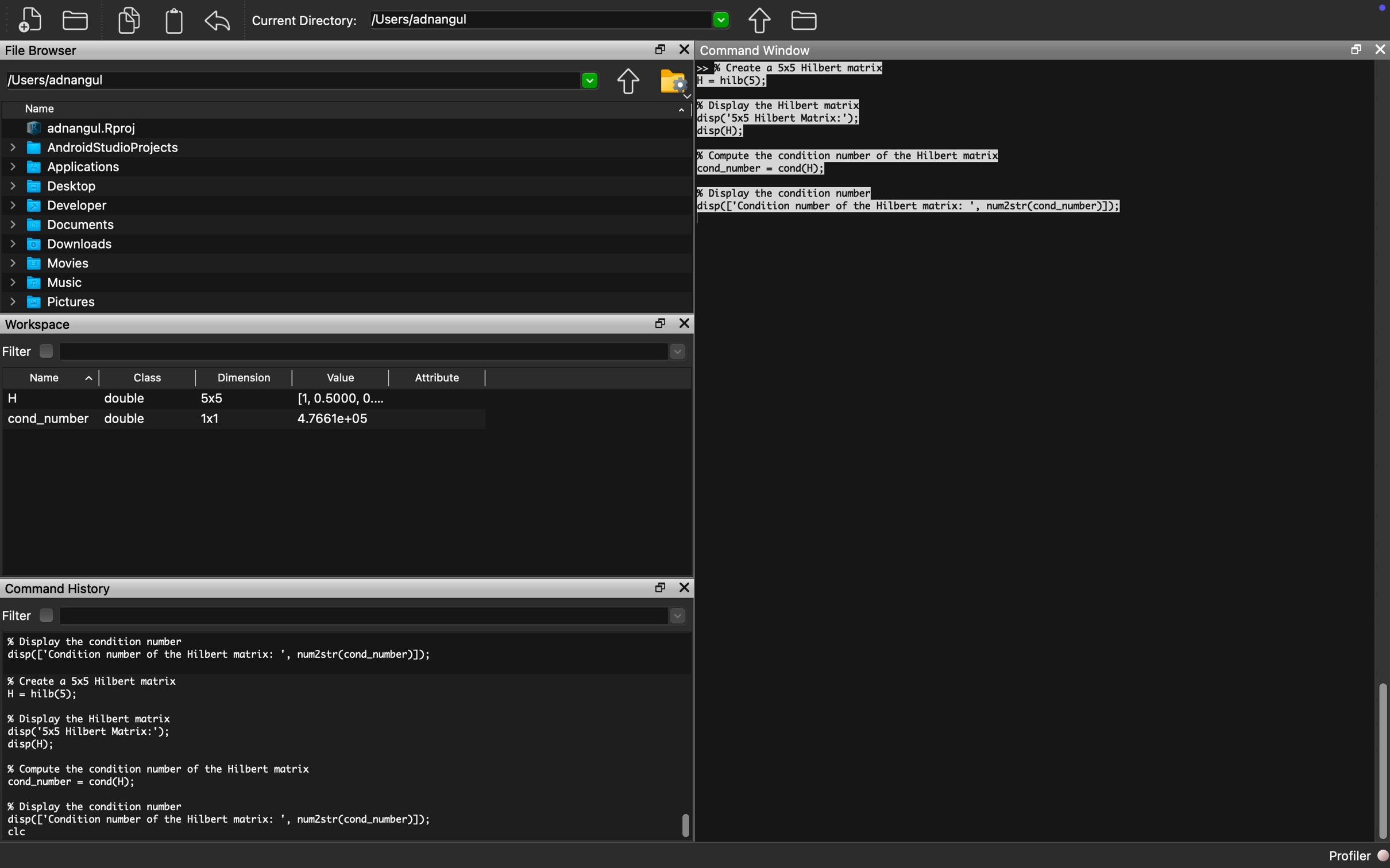  I want to click on dropdown, so click(375, 617).